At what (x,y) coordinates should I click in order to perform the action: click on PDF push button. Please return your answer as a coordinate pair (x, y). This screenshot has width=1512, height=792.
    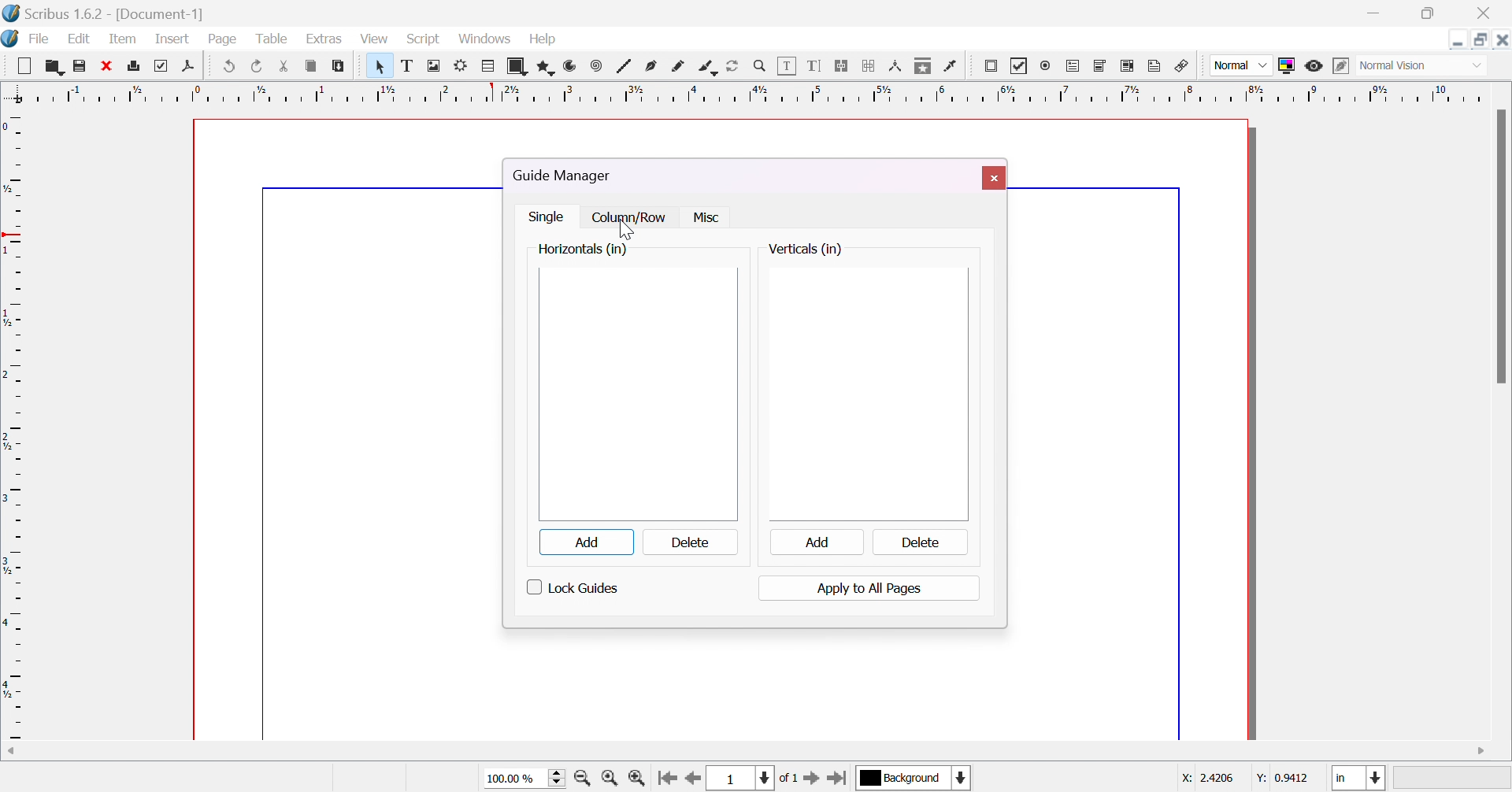
    Looking at the image, I should click on (991, 68).